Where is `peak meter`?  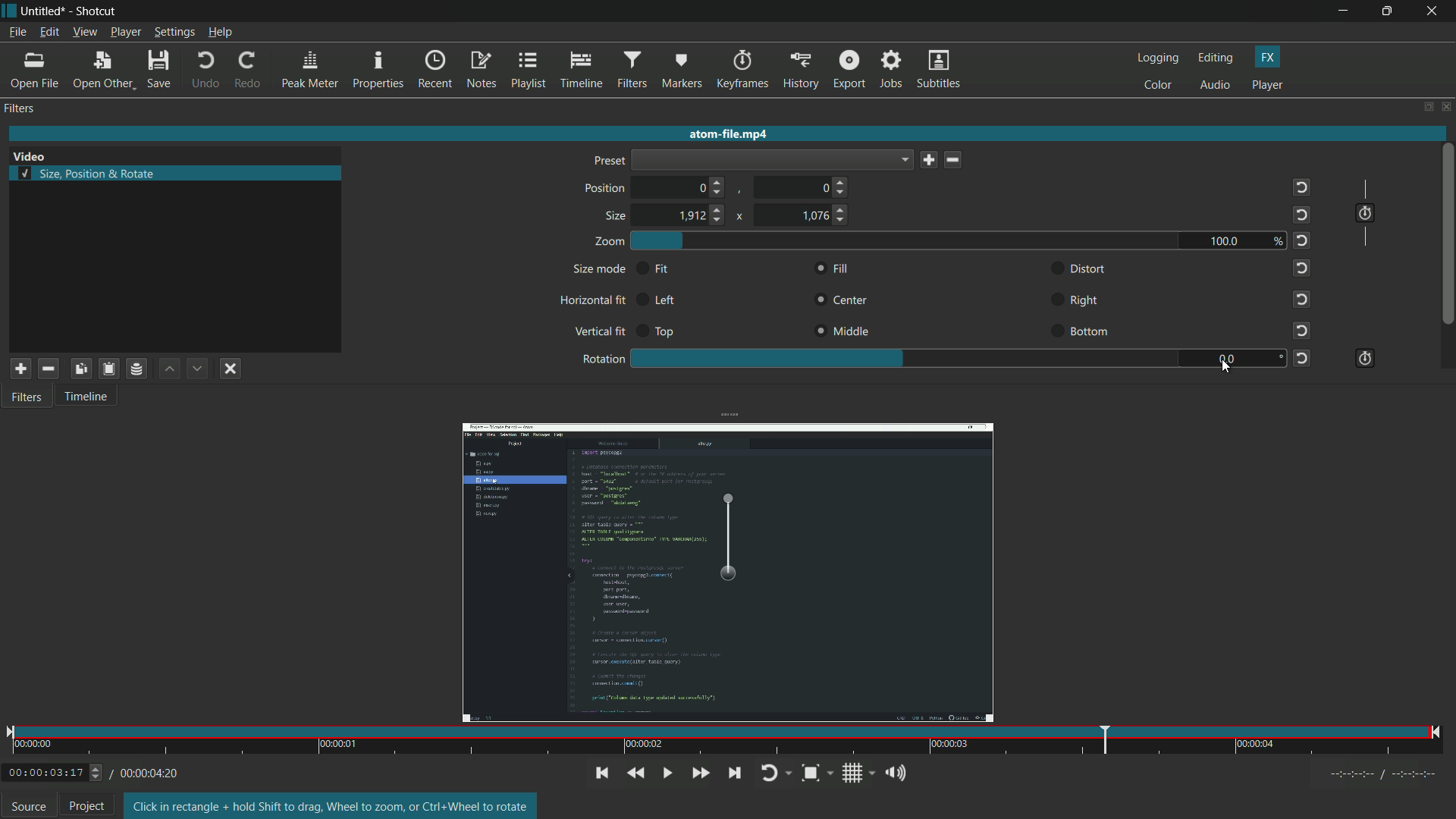 peak meter is located at coordinates (310, 71).